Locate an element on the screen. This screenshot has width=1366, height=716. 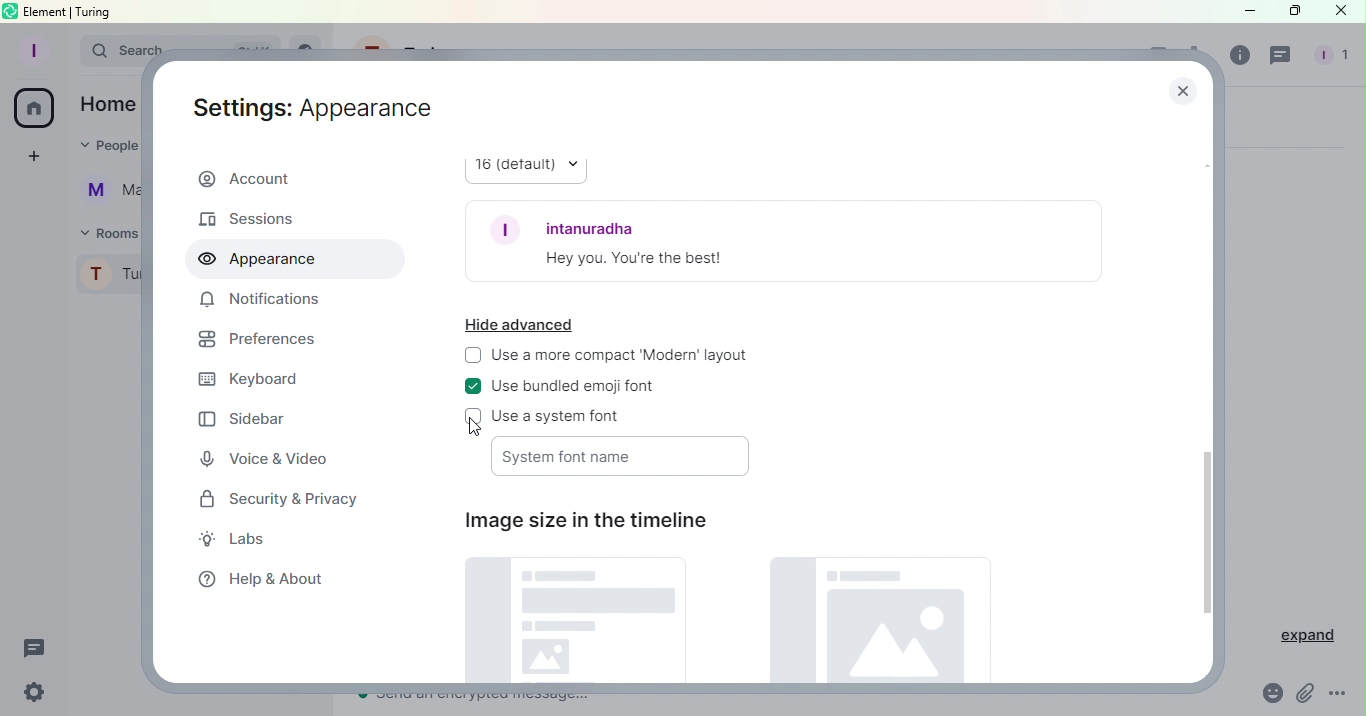
People is located at coordinates (109, 148).